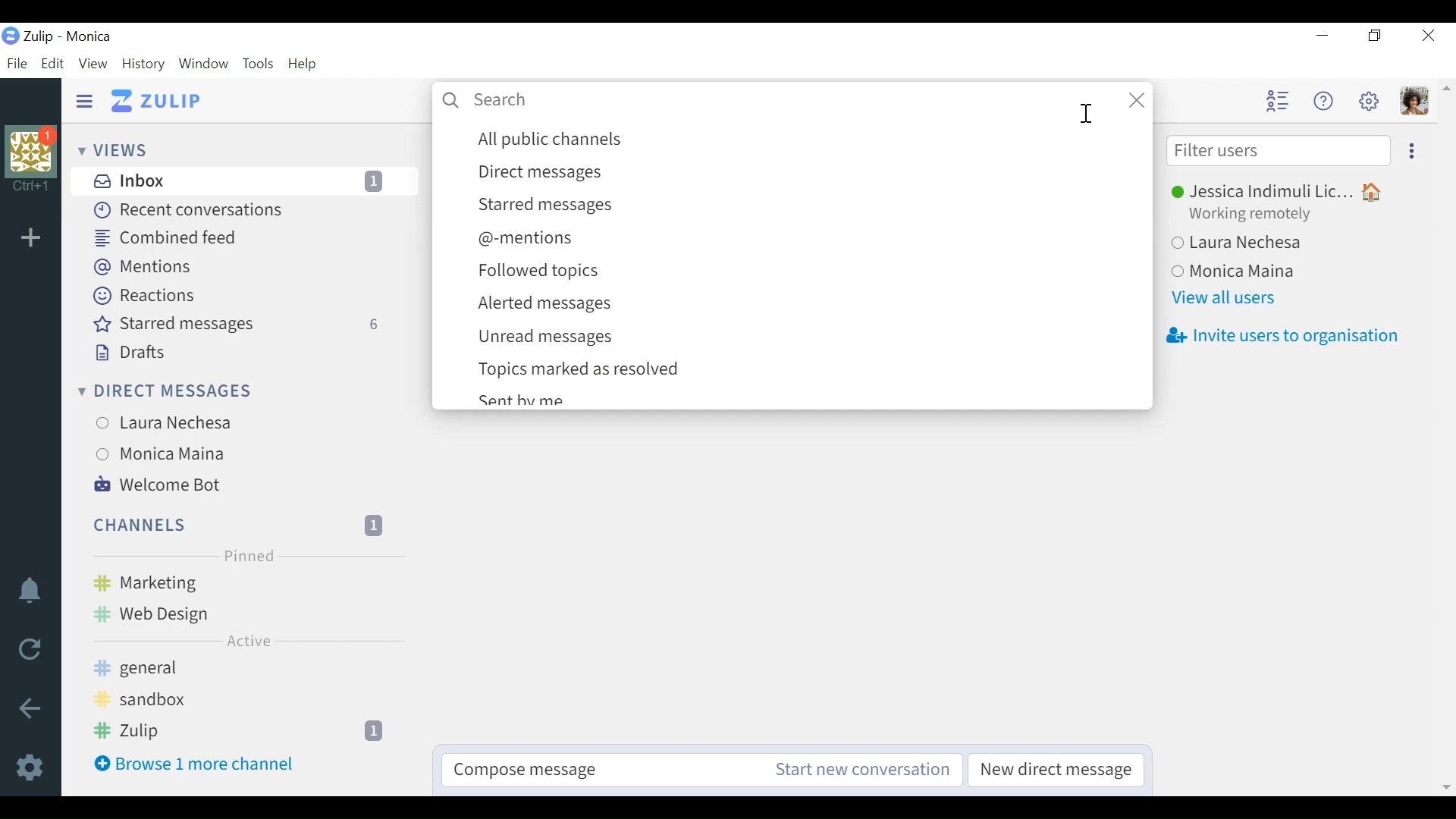 This screenshot has height=819, width=1456. What do you see at coordinates (249, 180) in the screenshot?
I see `Inbox` at bounding box center [249, 180].